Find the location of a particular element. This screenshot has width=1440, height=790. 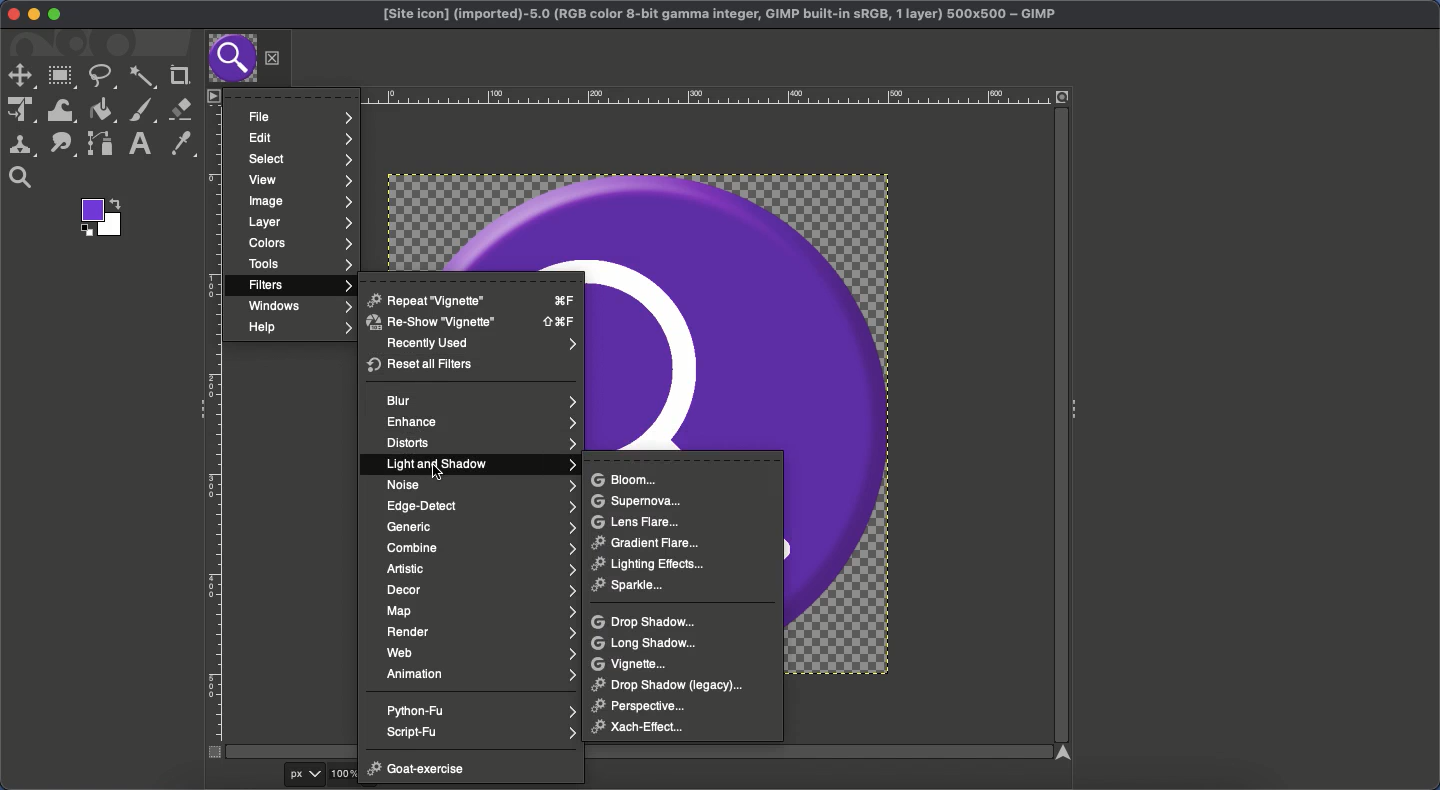

Supemova is located at coordinates (636, 501).